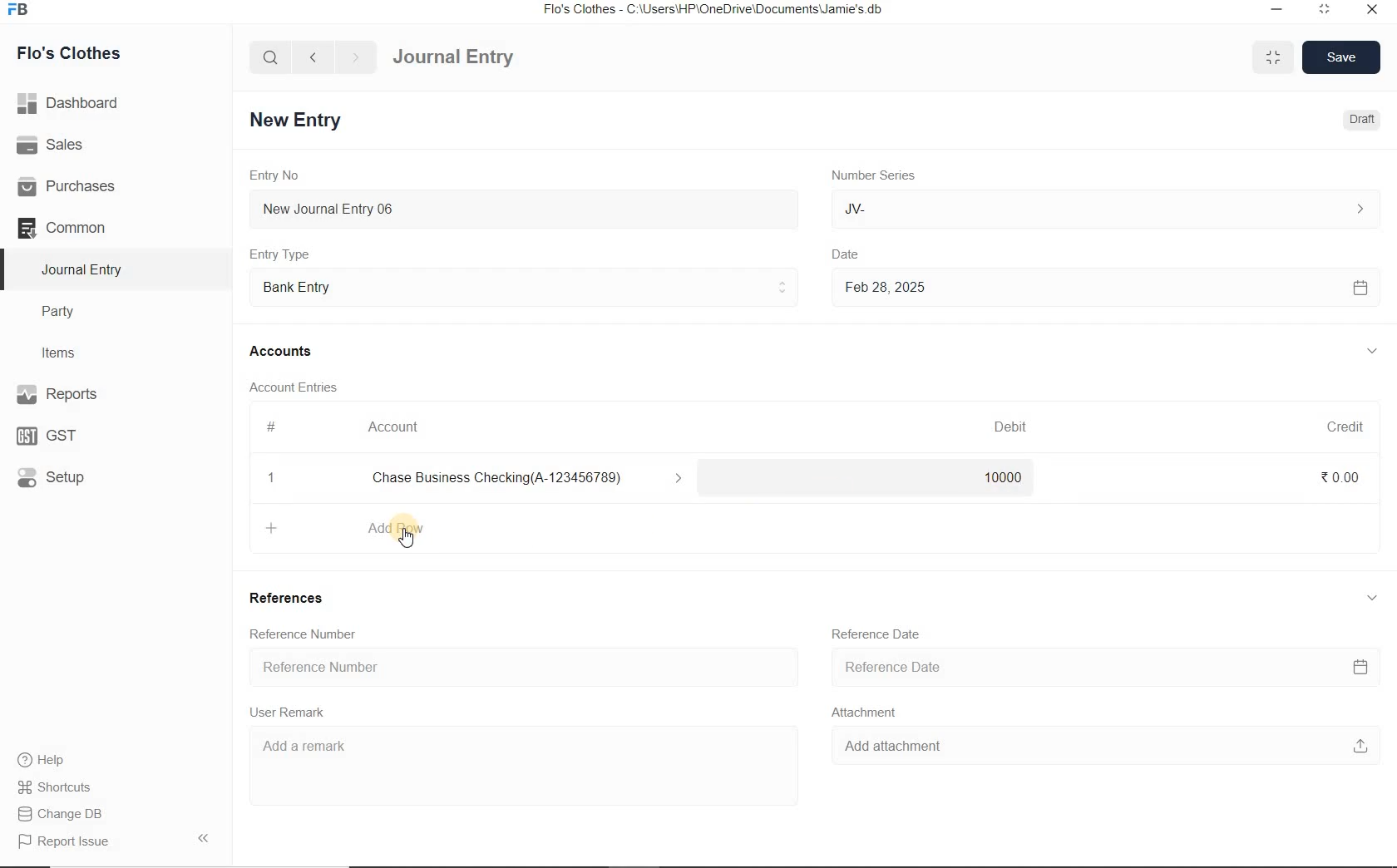 The height and width of the screenshot is (868, 1397). Describe the element at coordinates (869, 715) in the screenshot. I see `Attachment` at that location.